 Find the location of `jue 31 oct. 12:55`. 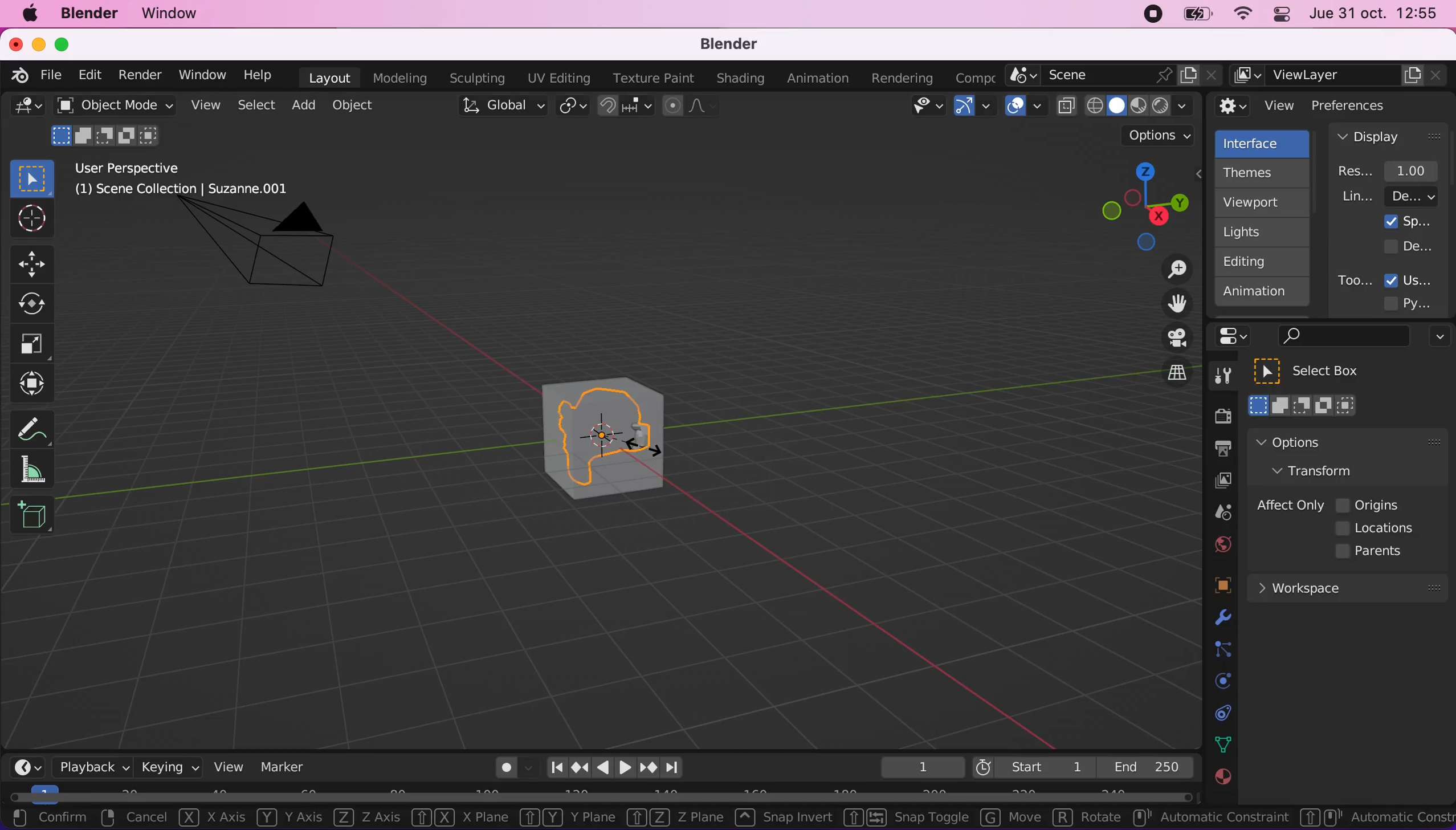

jue 31 oct. 12:55 is located at coordinates (1374, 14).